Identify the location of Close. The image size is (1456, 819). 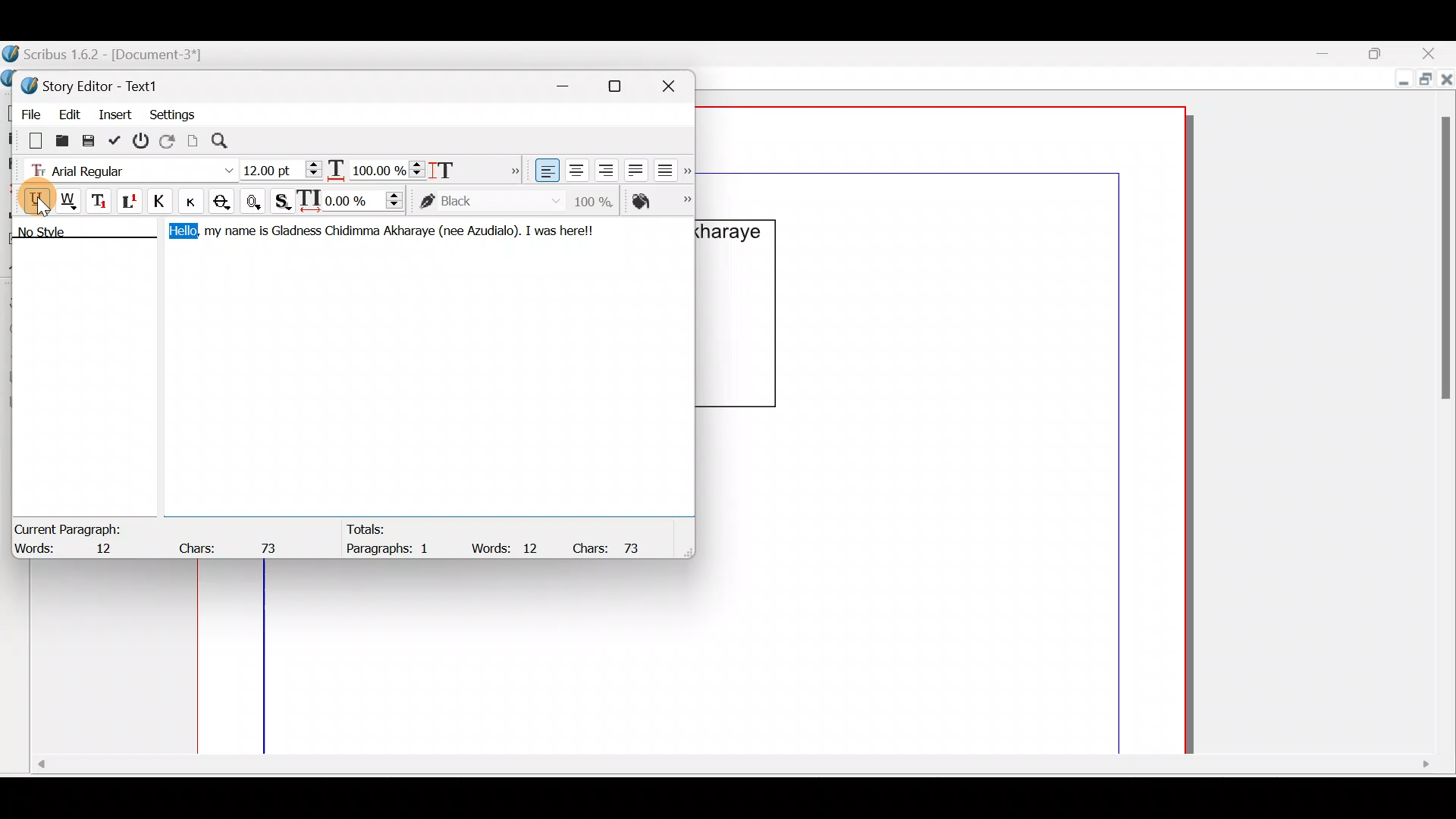
(1433, 53).